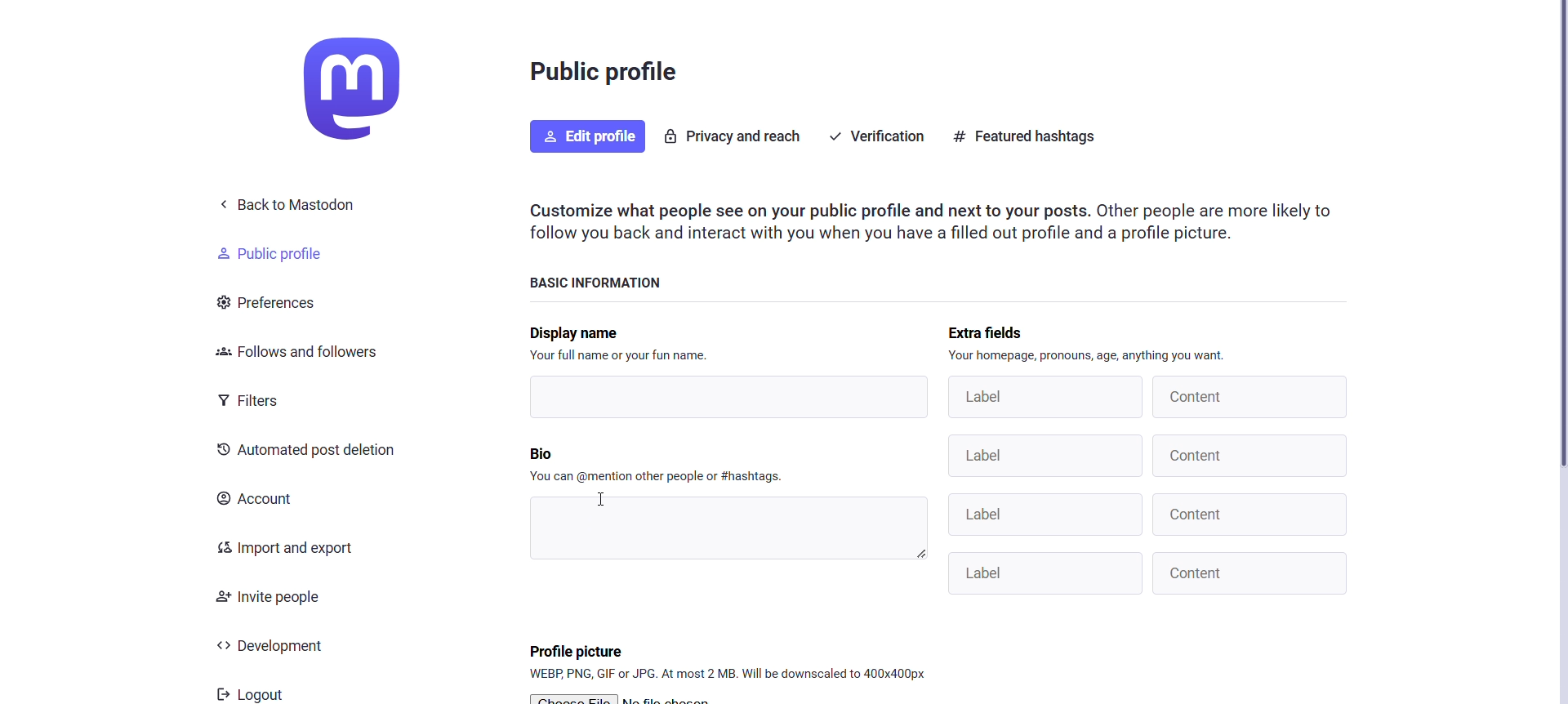 This screenshot has width=1568, height=704. What do you see at coordinates (660, 475) in the screenshot?
I see `You can @mention other people or #hashtags.` at bounding box center [660, 475].